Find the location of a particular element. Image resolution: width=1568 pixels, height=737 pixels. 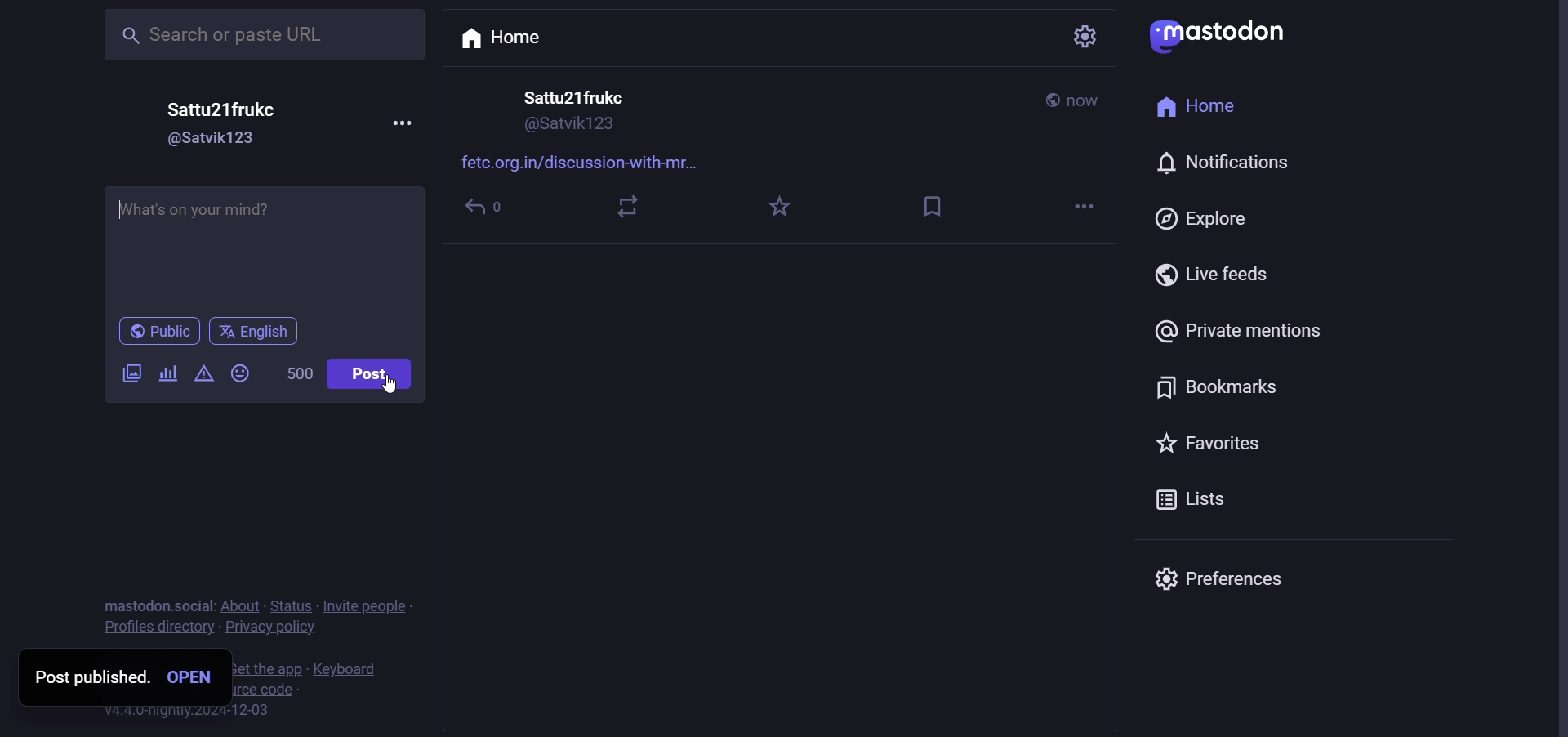

image/video is located at coordinates (127, 369).